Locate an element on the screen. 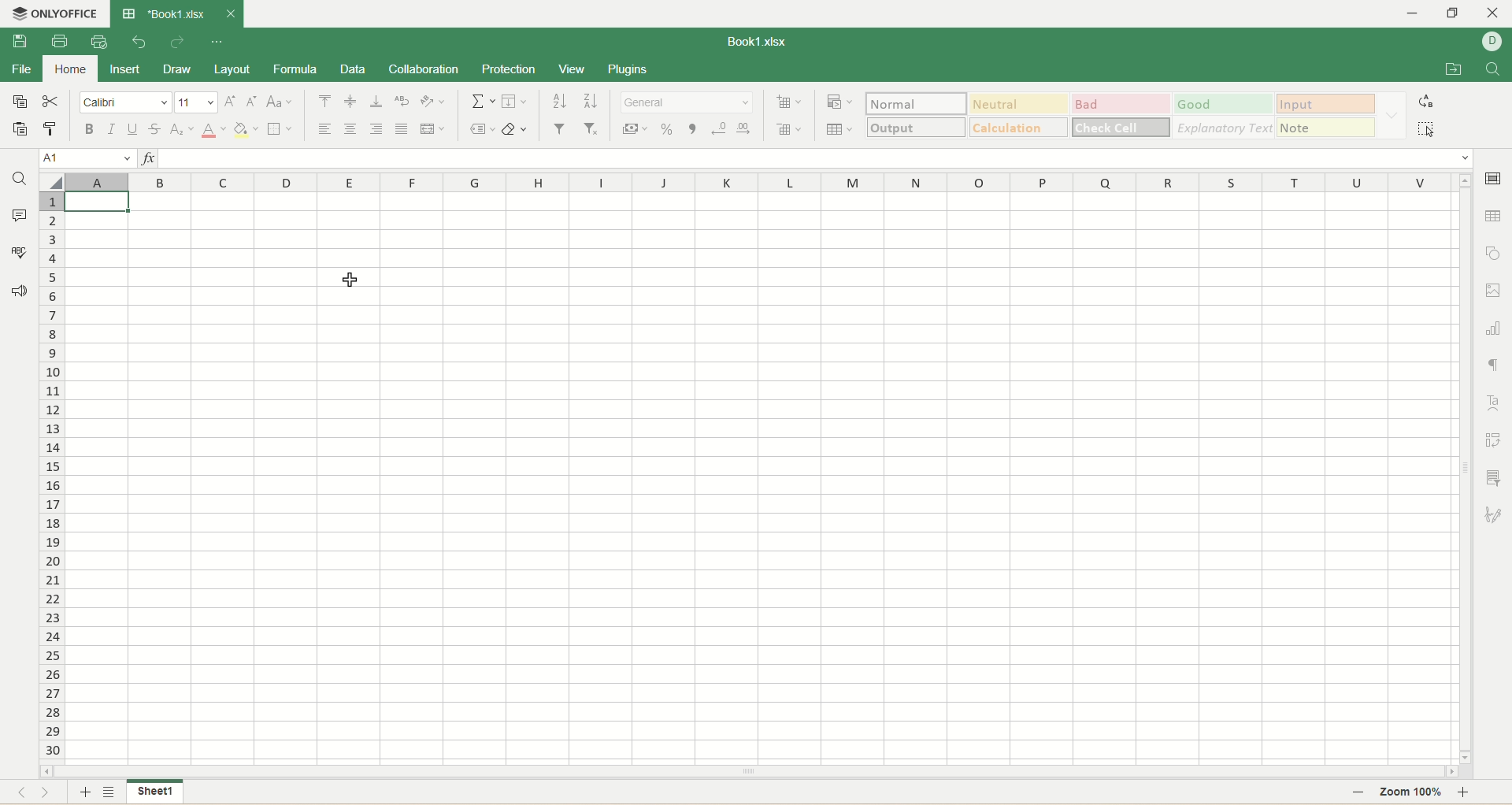  font size is located at coordinates (197, 102).